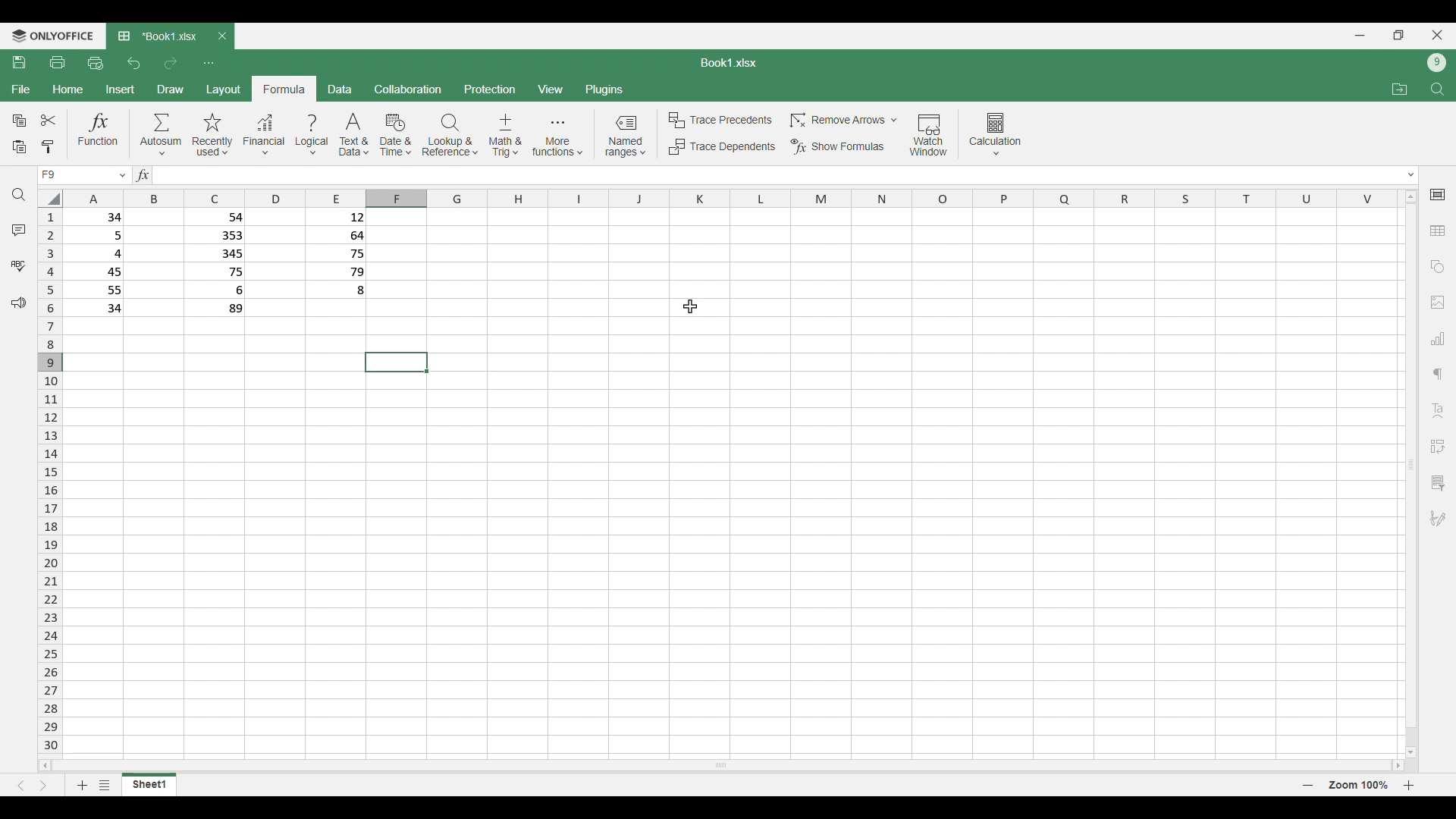 The width and height of the screenshot is (1456, 819). I want to click on Show in smaller tab, so click(1398, 35).